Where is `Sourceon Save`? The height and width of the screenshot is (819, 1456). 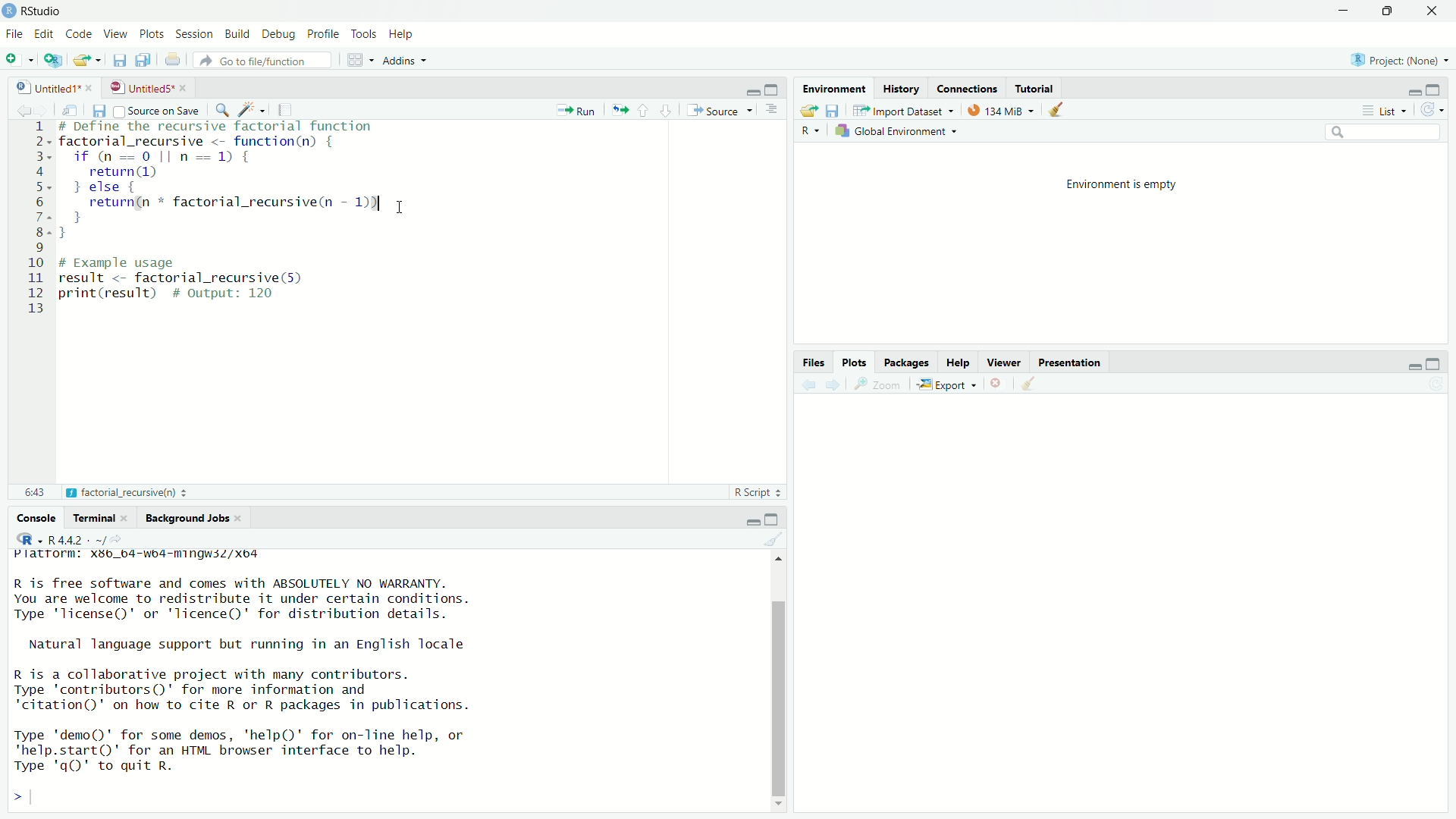
Sourceon Save is located at coordinates (158, 110).